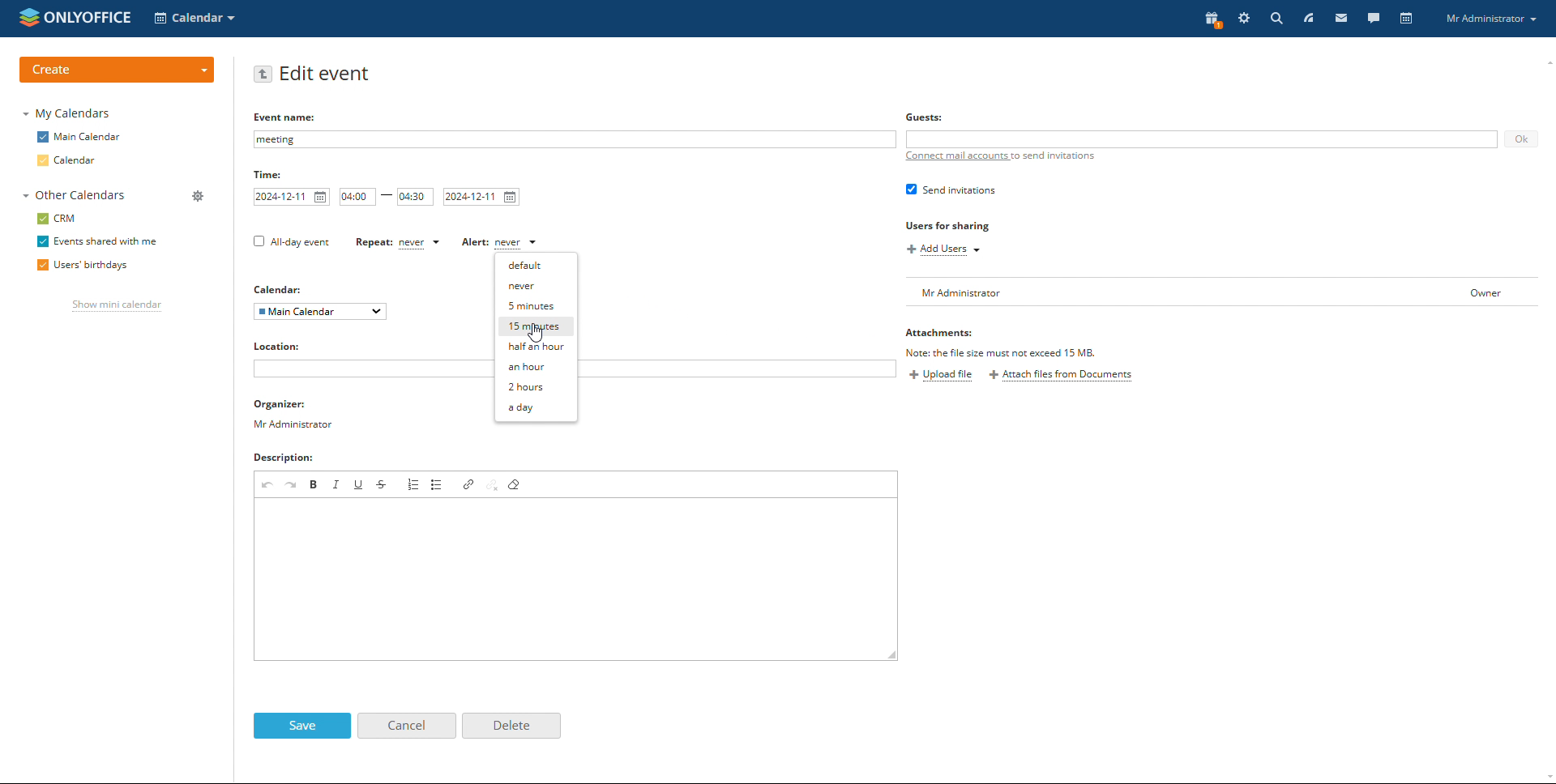 The height and width of the screenshot is (784, 1556). Describe the element at coordinates (383, 484) in the screenshot. I see `strikethrough` at that location.